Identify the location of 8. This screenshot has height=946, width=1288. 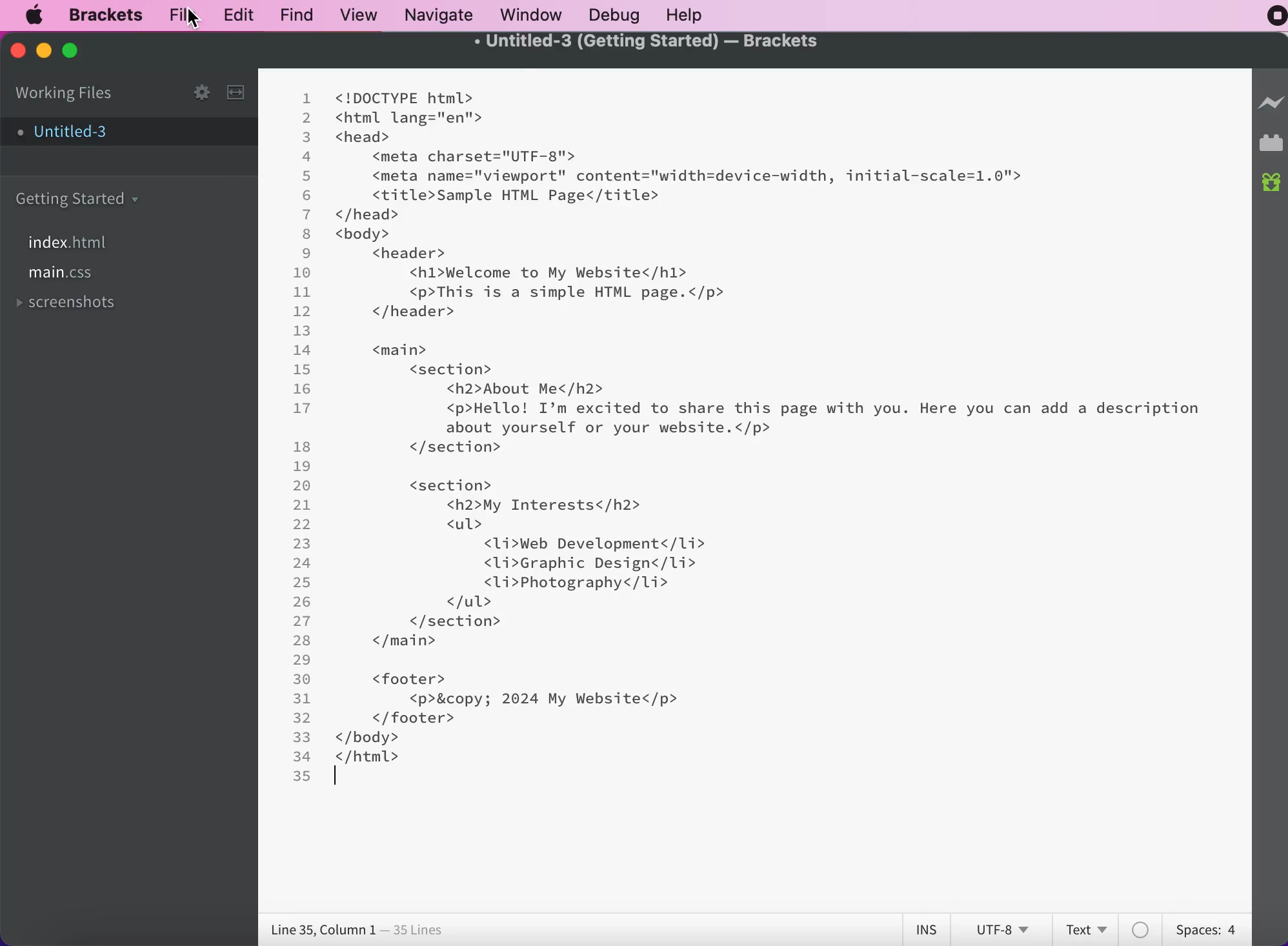
(306, 234).